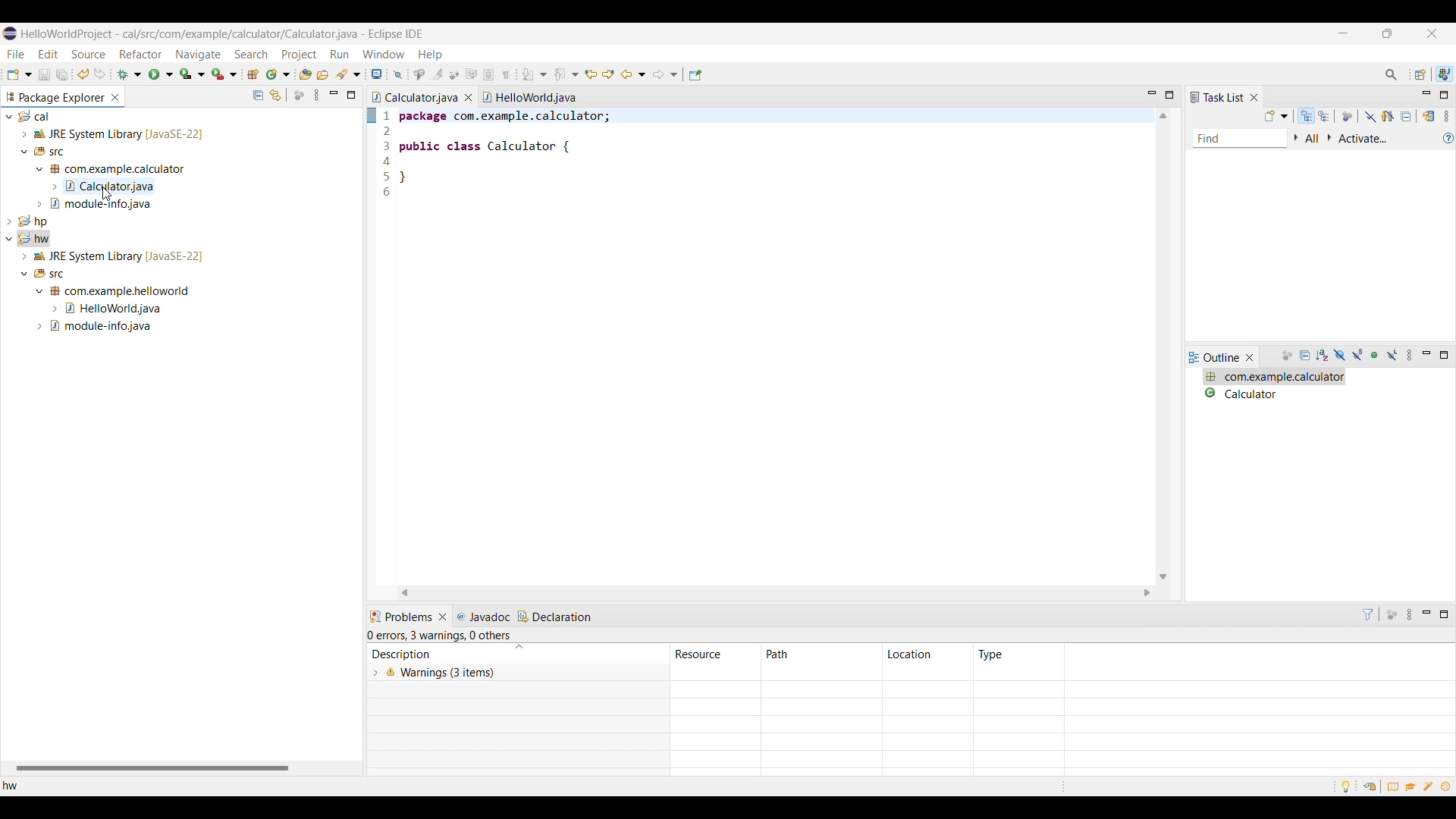 This screenshot has height=819, width=1456. I want to click on Back options, so click(634, 74).